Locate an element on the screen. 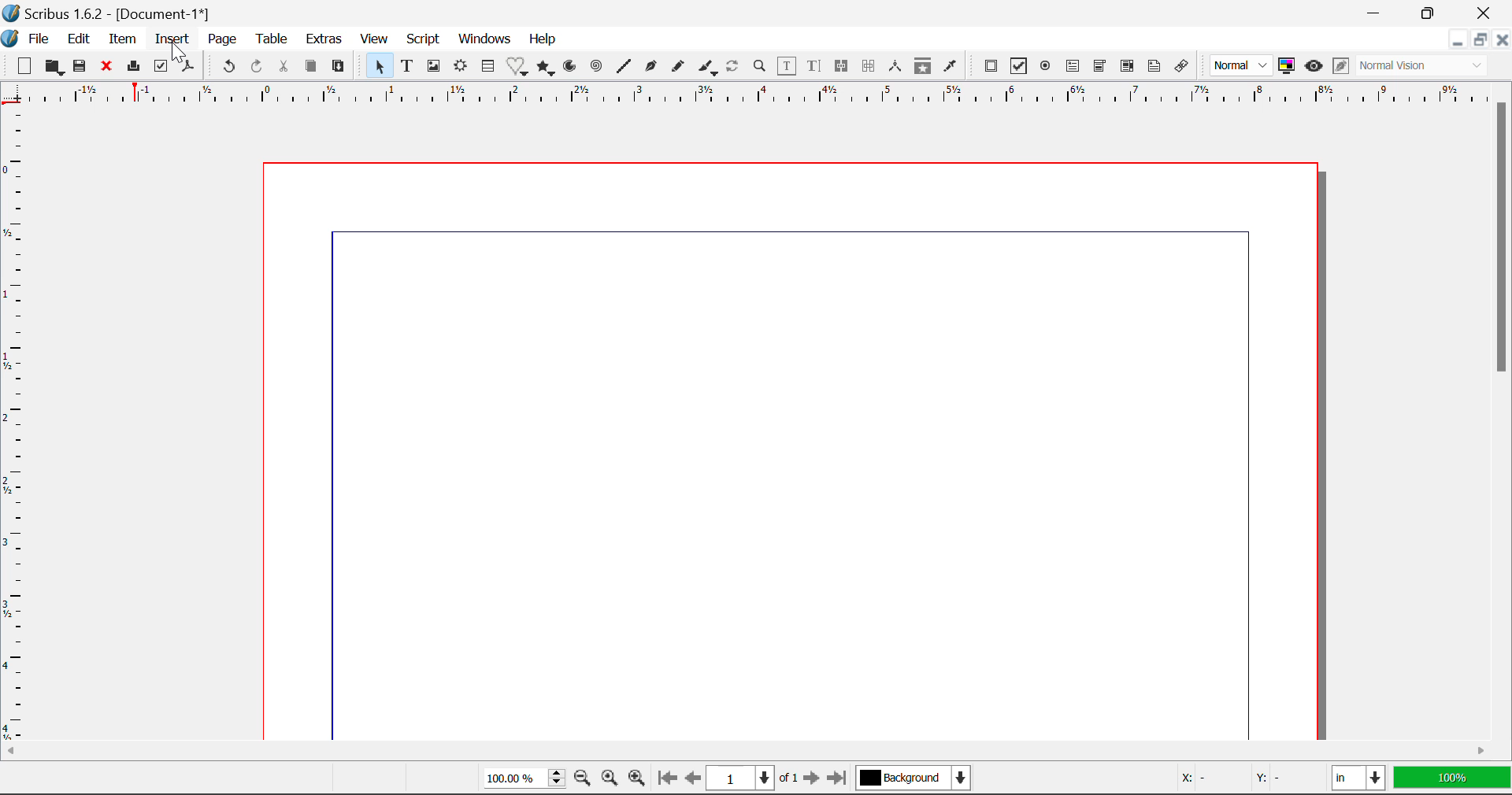 This screenshot has width=1512, height=795. Help is located at coordinates (543, 39).